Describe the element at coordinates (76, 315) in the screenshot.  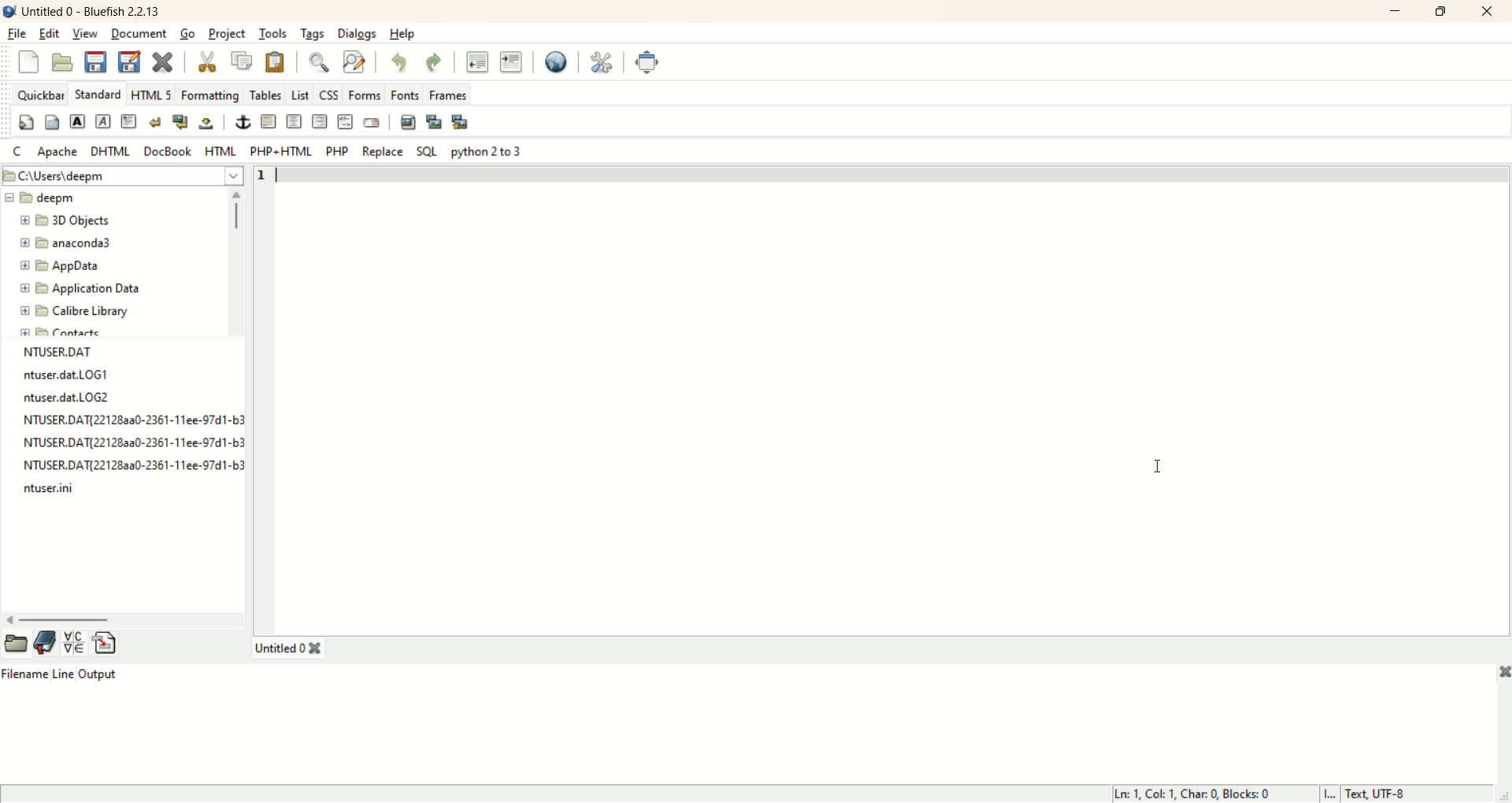
I see `calibre ` at that location.